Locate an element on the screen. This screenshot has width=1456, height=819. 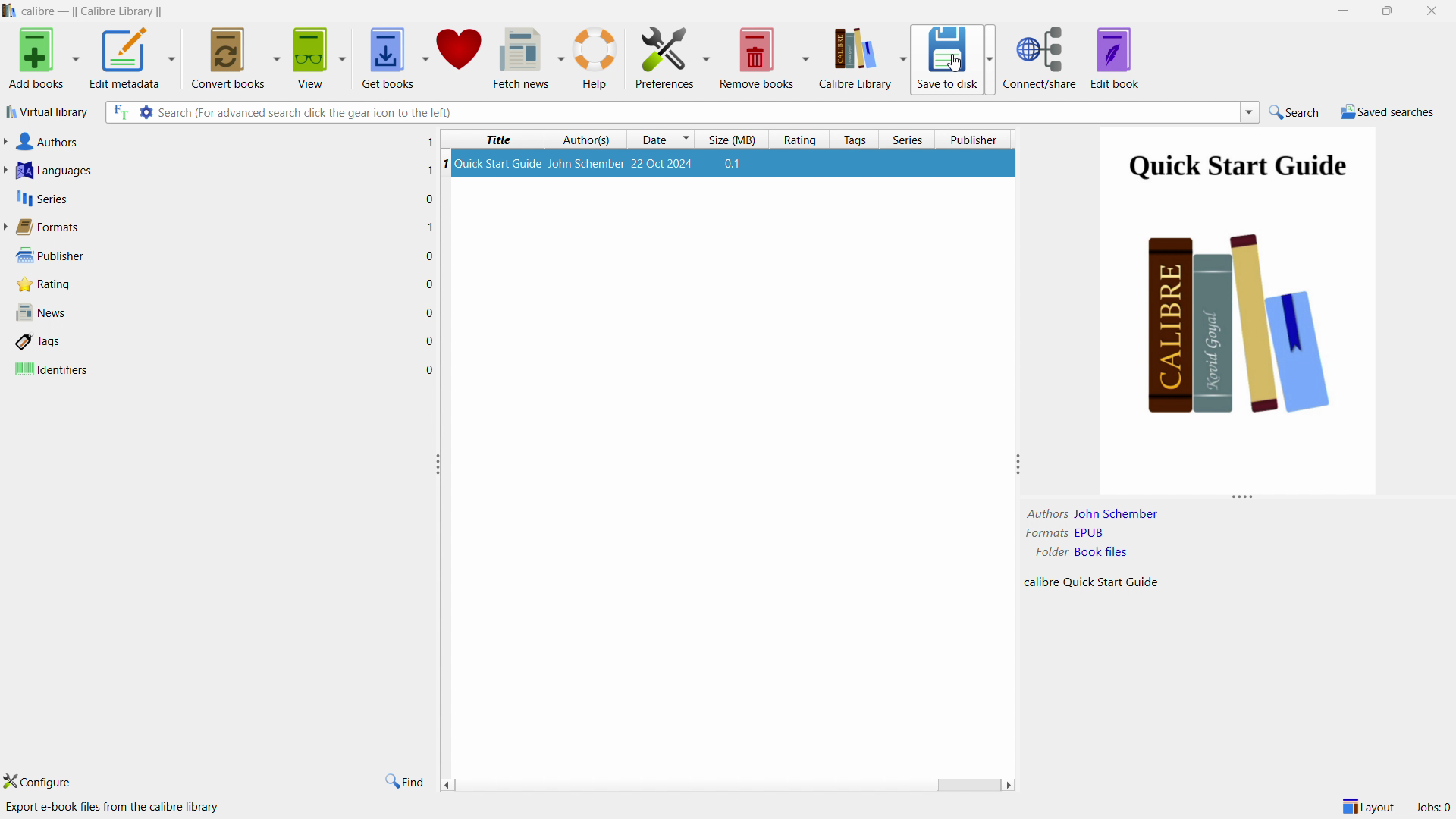
1 is located at coordinates (430, 141).